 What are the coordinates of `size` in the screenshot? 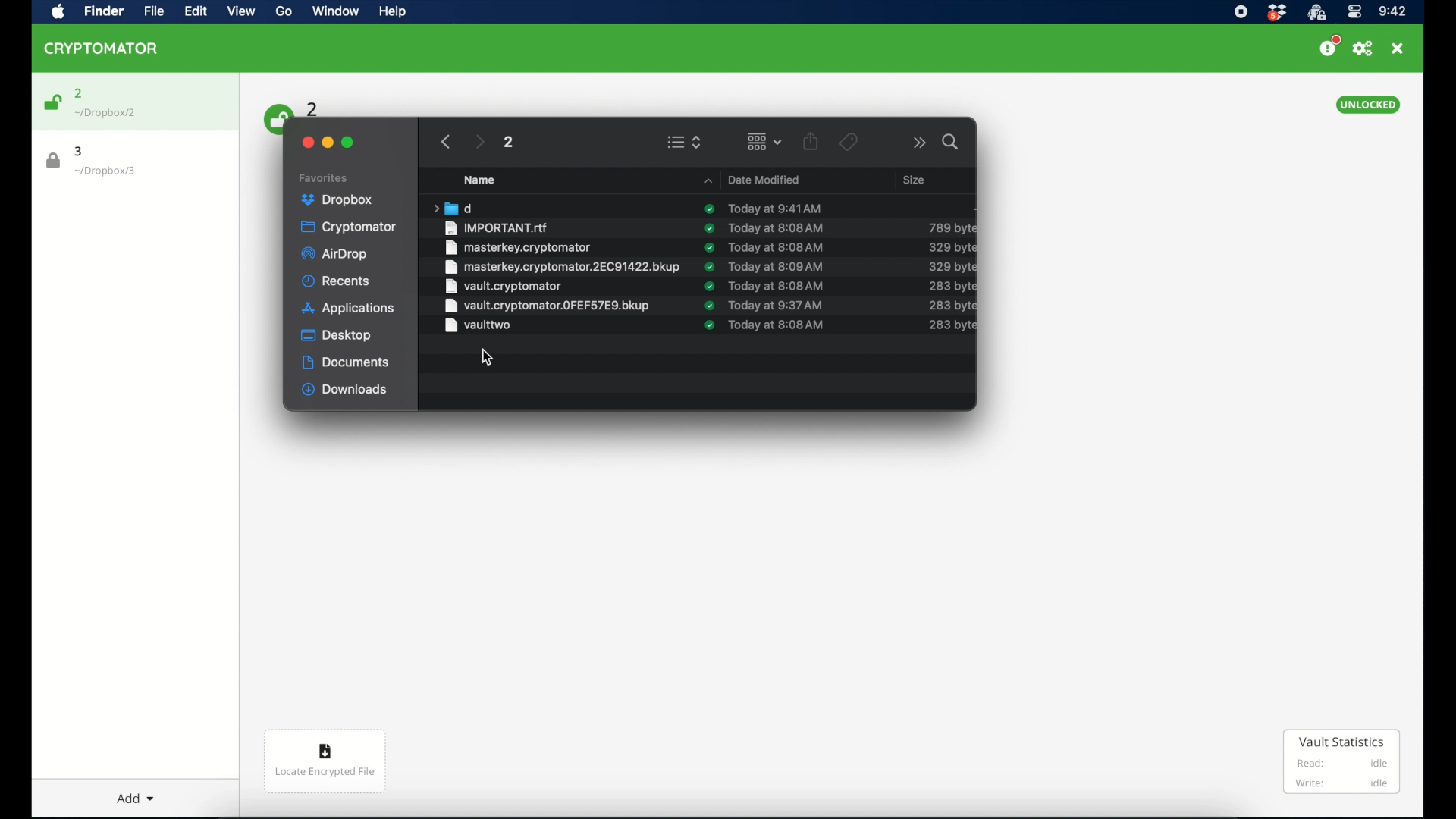 It's located at (952, 325).